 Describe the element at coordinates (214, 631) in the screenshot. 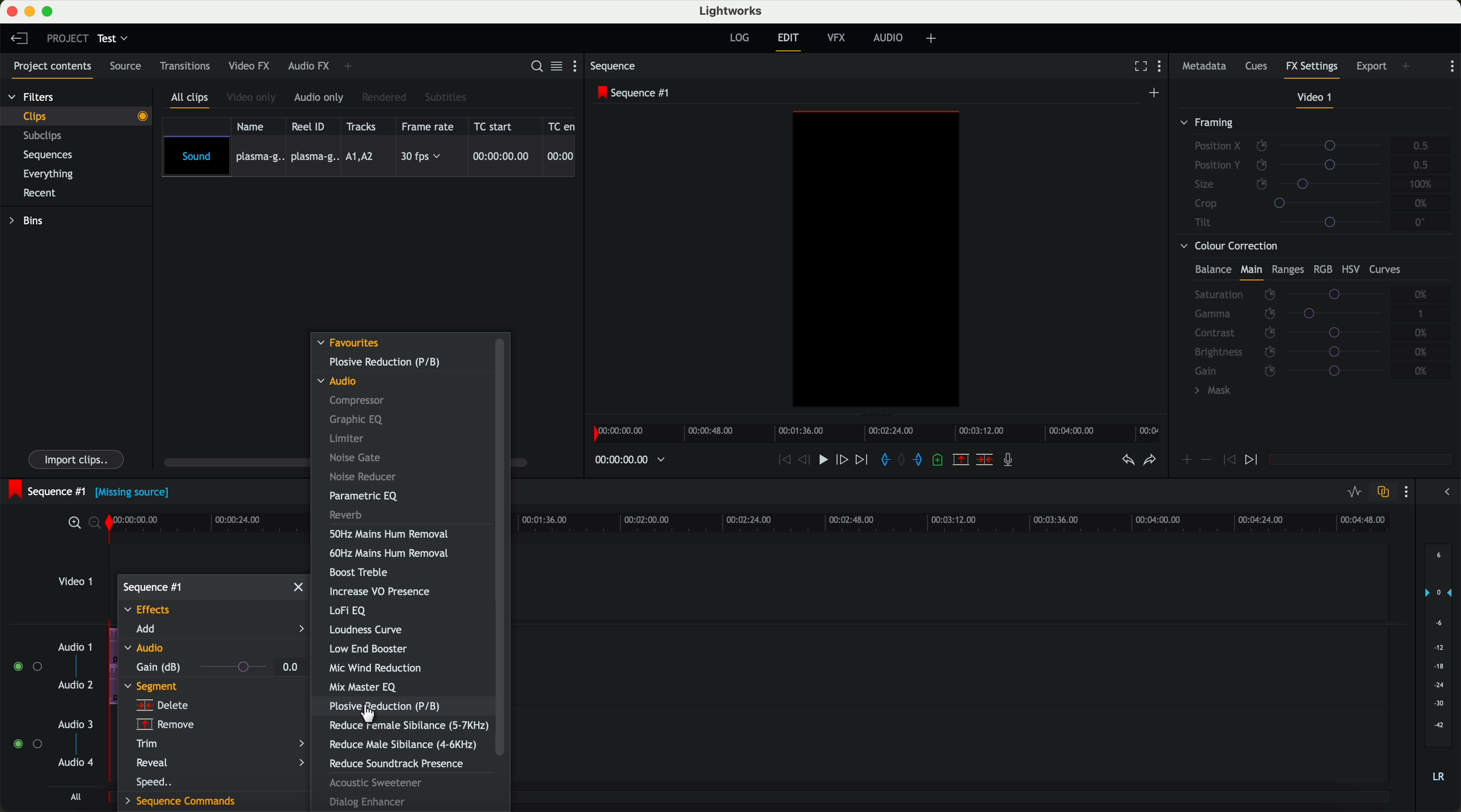

I see `click on add` at that location.